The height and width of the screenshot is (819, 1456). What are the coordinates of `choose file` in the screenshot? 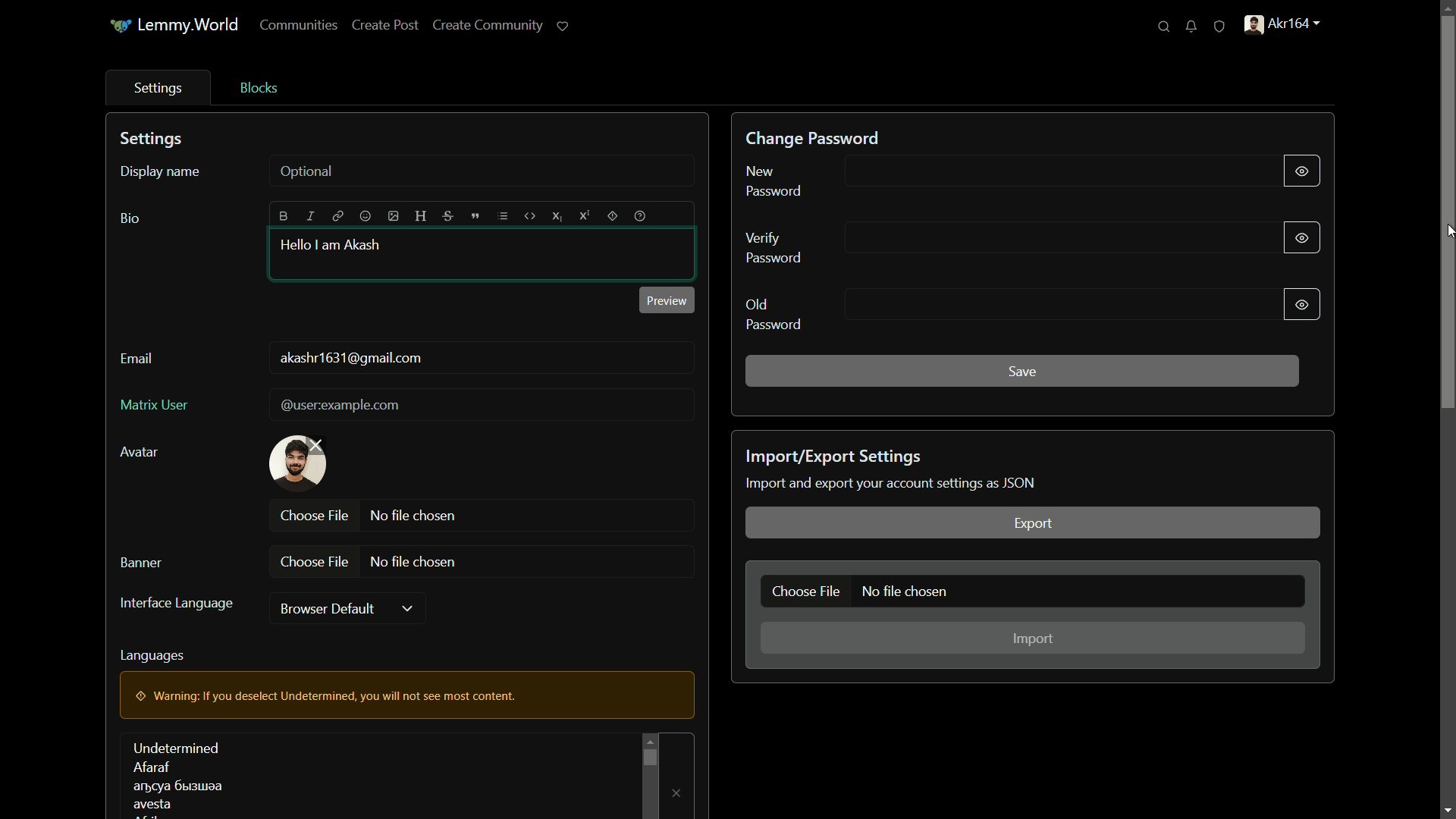 It's located at (315, 562).